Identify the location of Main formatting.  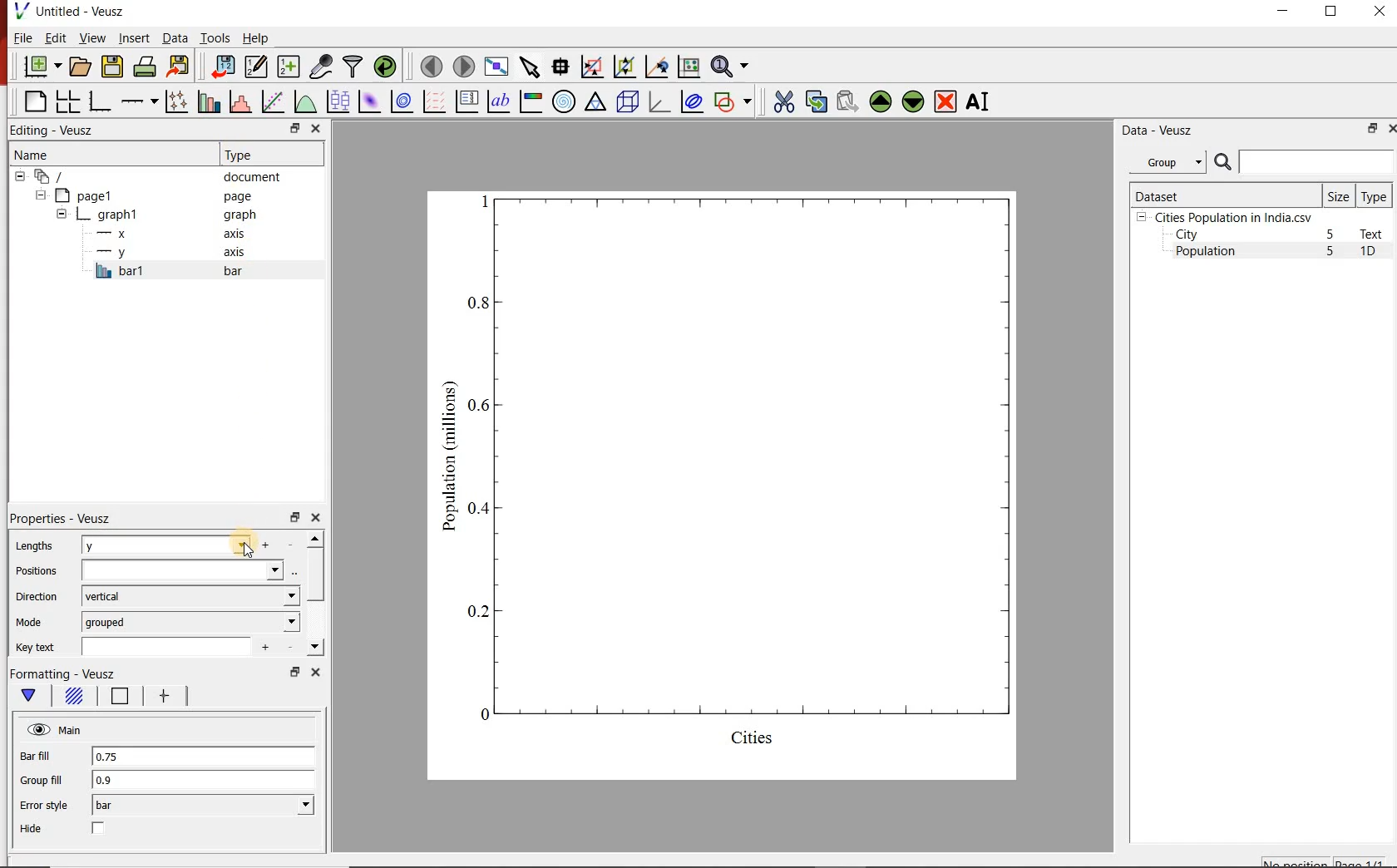
(32, 696).